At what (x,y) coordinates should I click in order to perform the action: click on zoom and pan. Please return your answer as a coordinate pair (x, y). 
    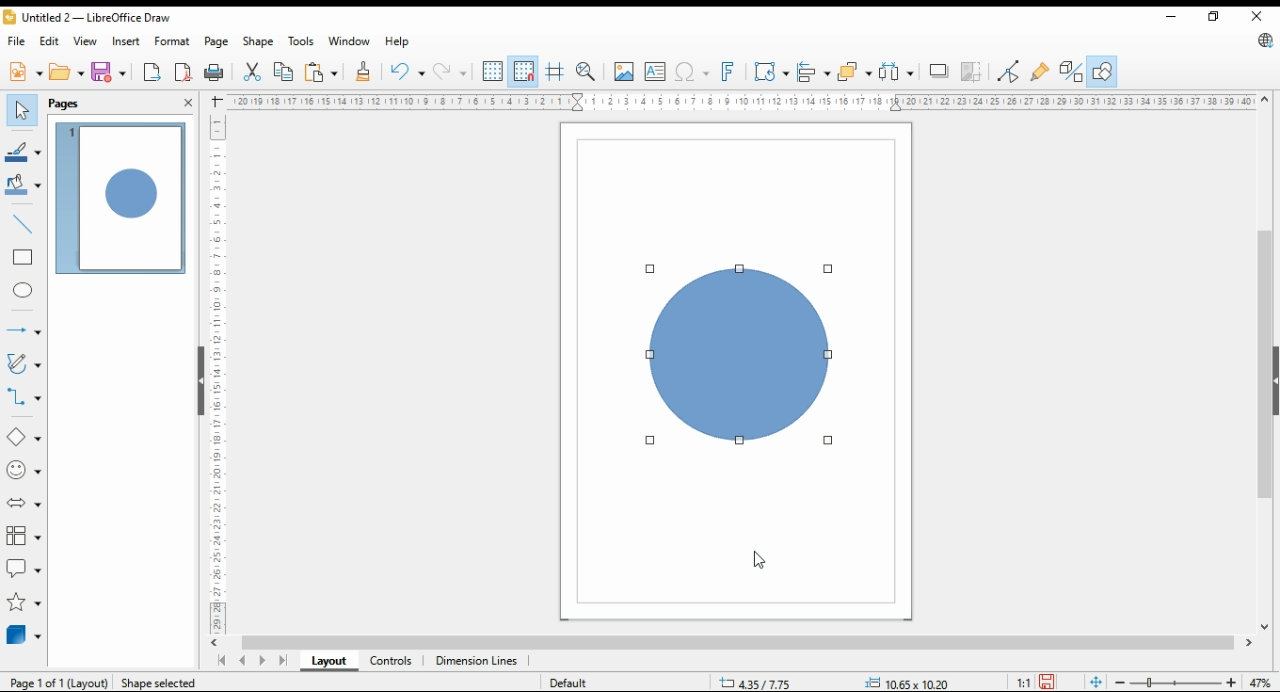
    Looking at the image, I should click on (586, 72).